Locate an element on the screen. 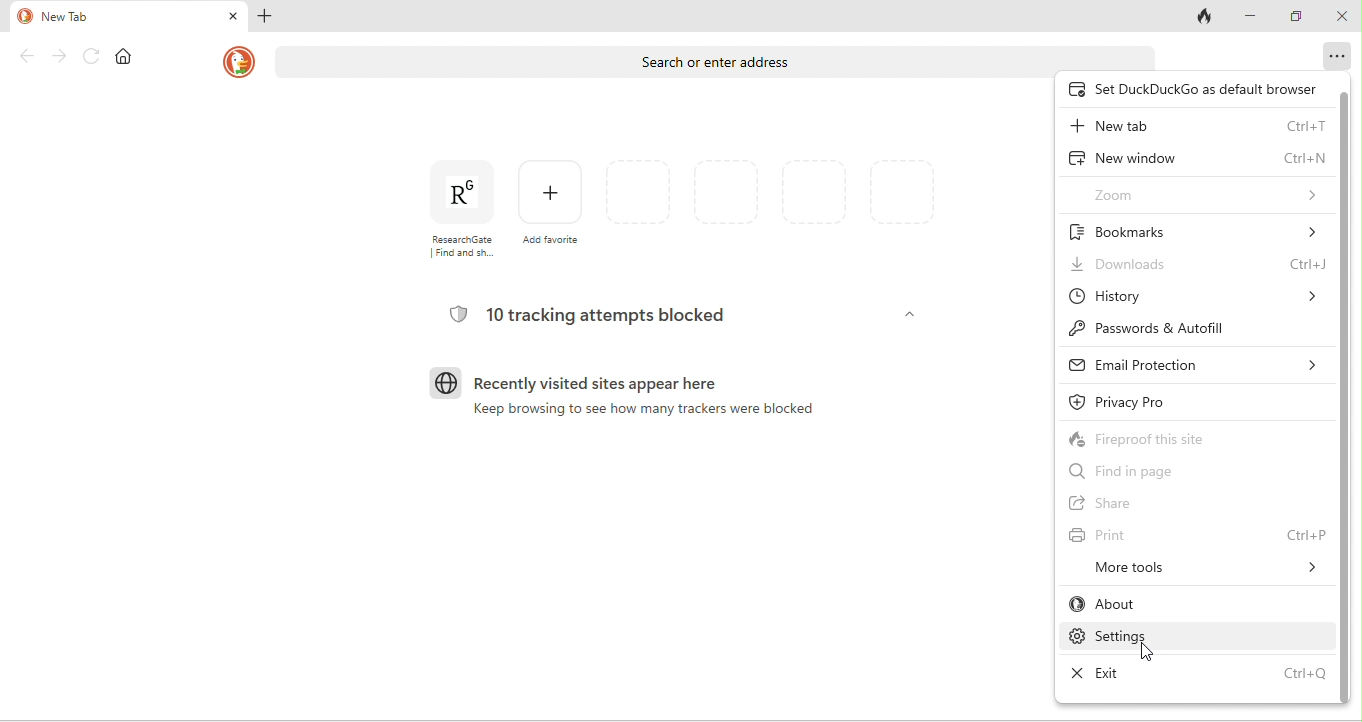 This screenshot has width=1362, height=722. close tabs and clear data is located at coordinates (1206, 17).